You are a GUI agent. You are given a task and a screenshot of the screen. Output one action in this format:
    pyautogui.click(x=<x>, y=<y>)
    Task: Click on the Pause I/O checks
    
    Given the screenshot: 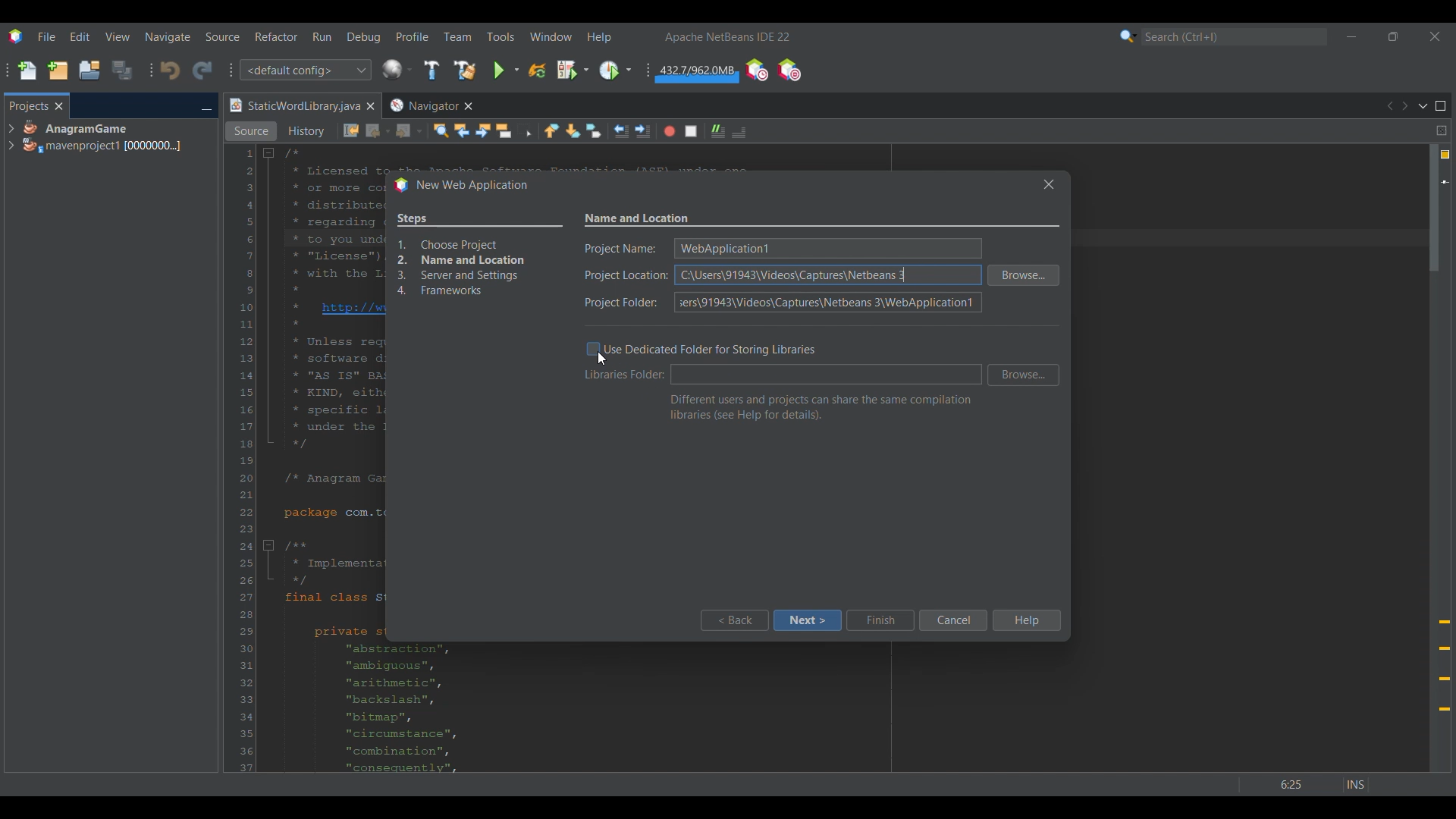 What is the action you would take?
    pyautogui.click(x=789, y=70)
    